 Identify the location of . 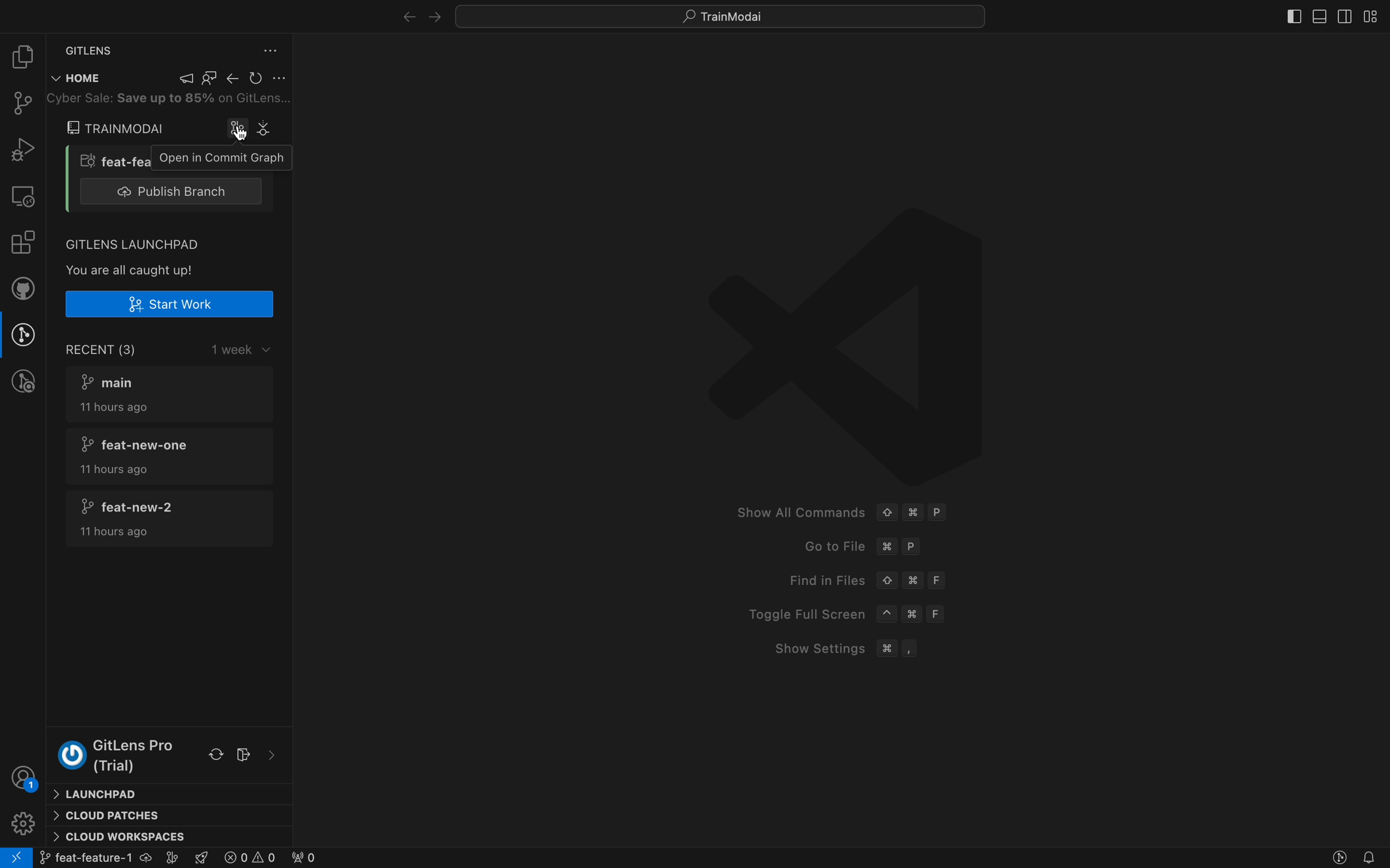
(233, 77).